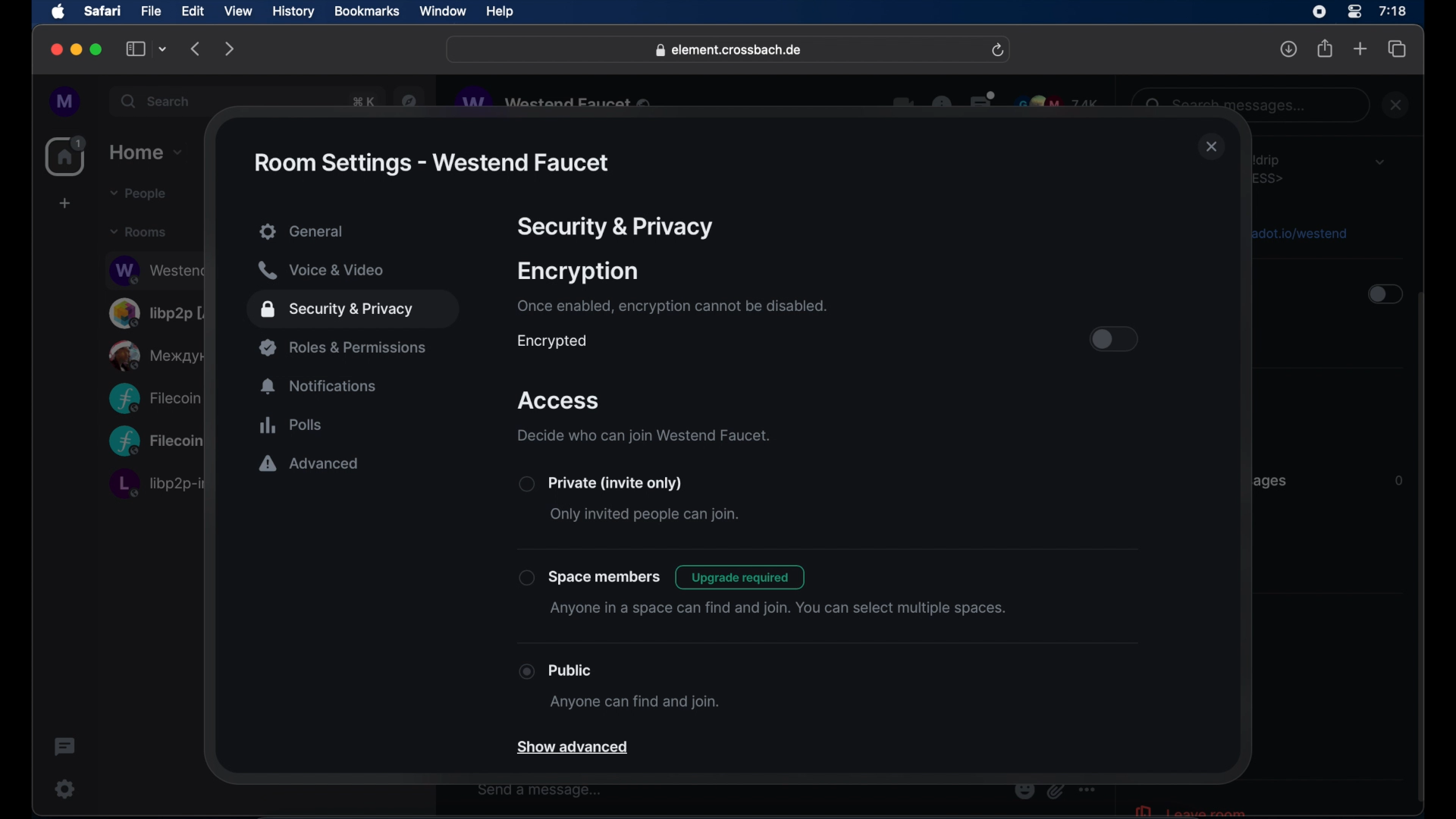 Image resolution: width=1456 pixels, height=819 pixels. Describe the element at coordinates (996, 102) in the screenshot. I see `obscure icons` at that location.